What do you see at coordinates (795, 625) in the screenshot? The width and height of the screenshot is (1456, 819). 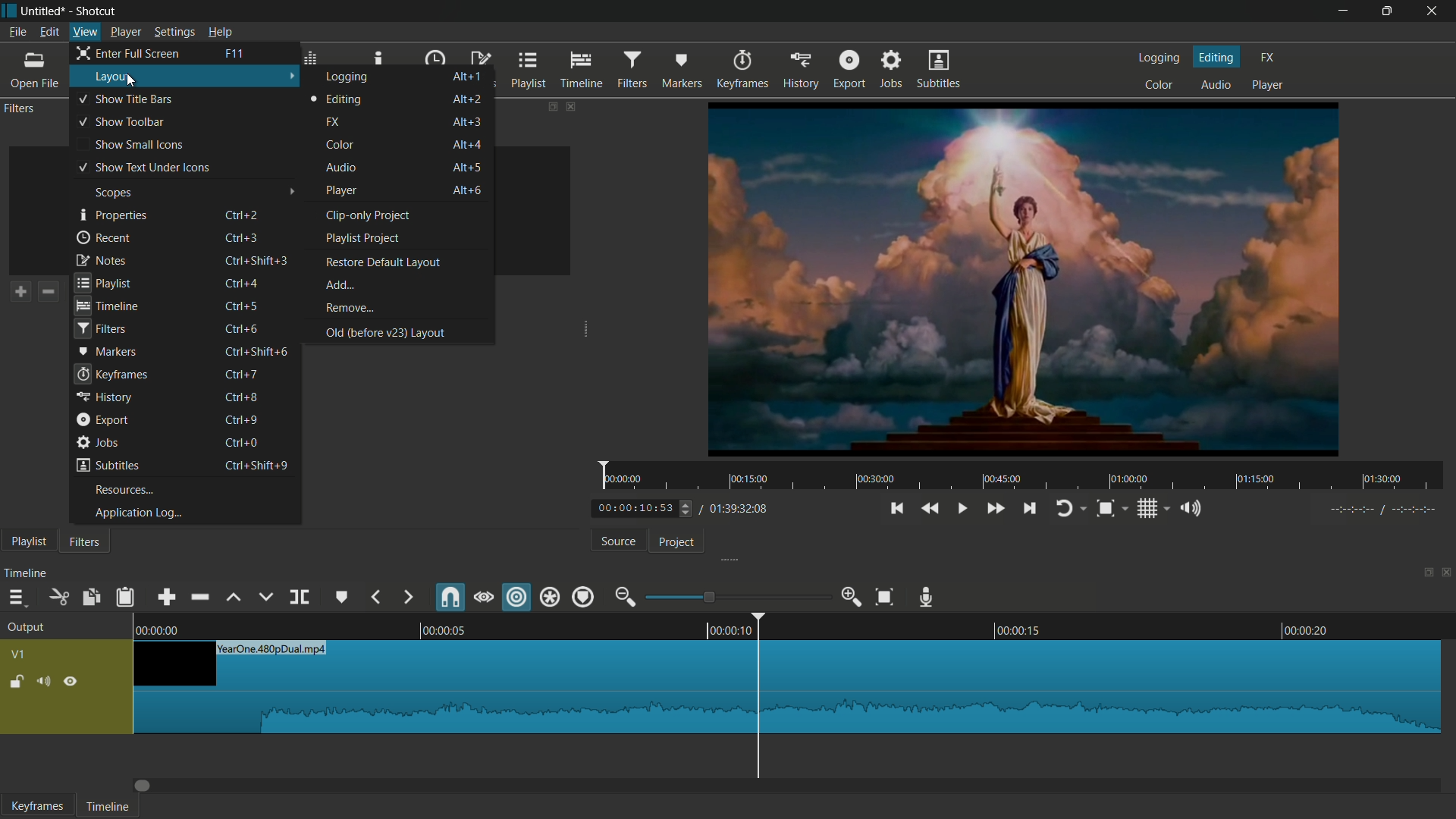 I see `timeliner` at bounding box center [795, 625].